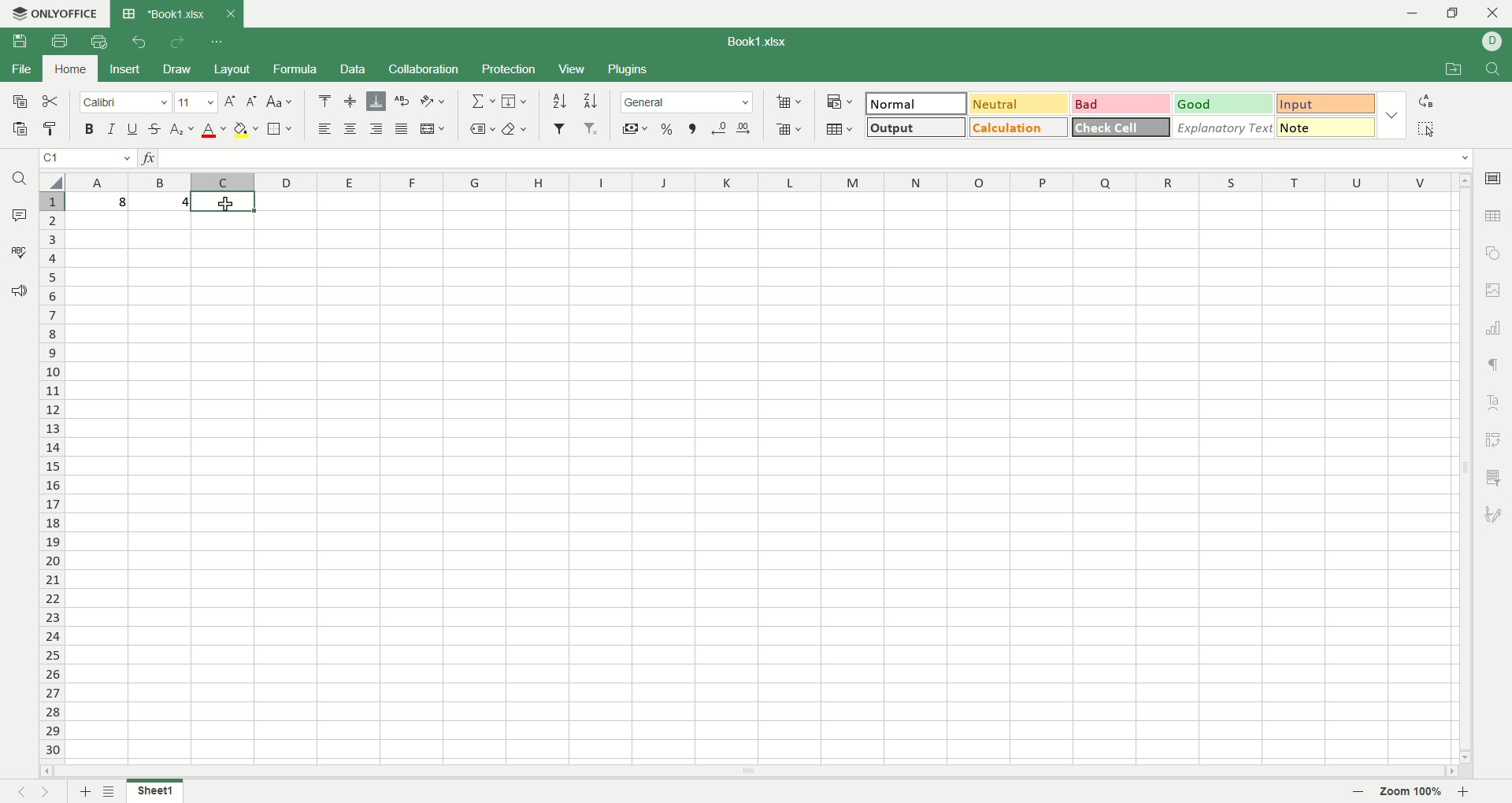 The image size is (1512, 803). I want to click on border, so click(280, 128).